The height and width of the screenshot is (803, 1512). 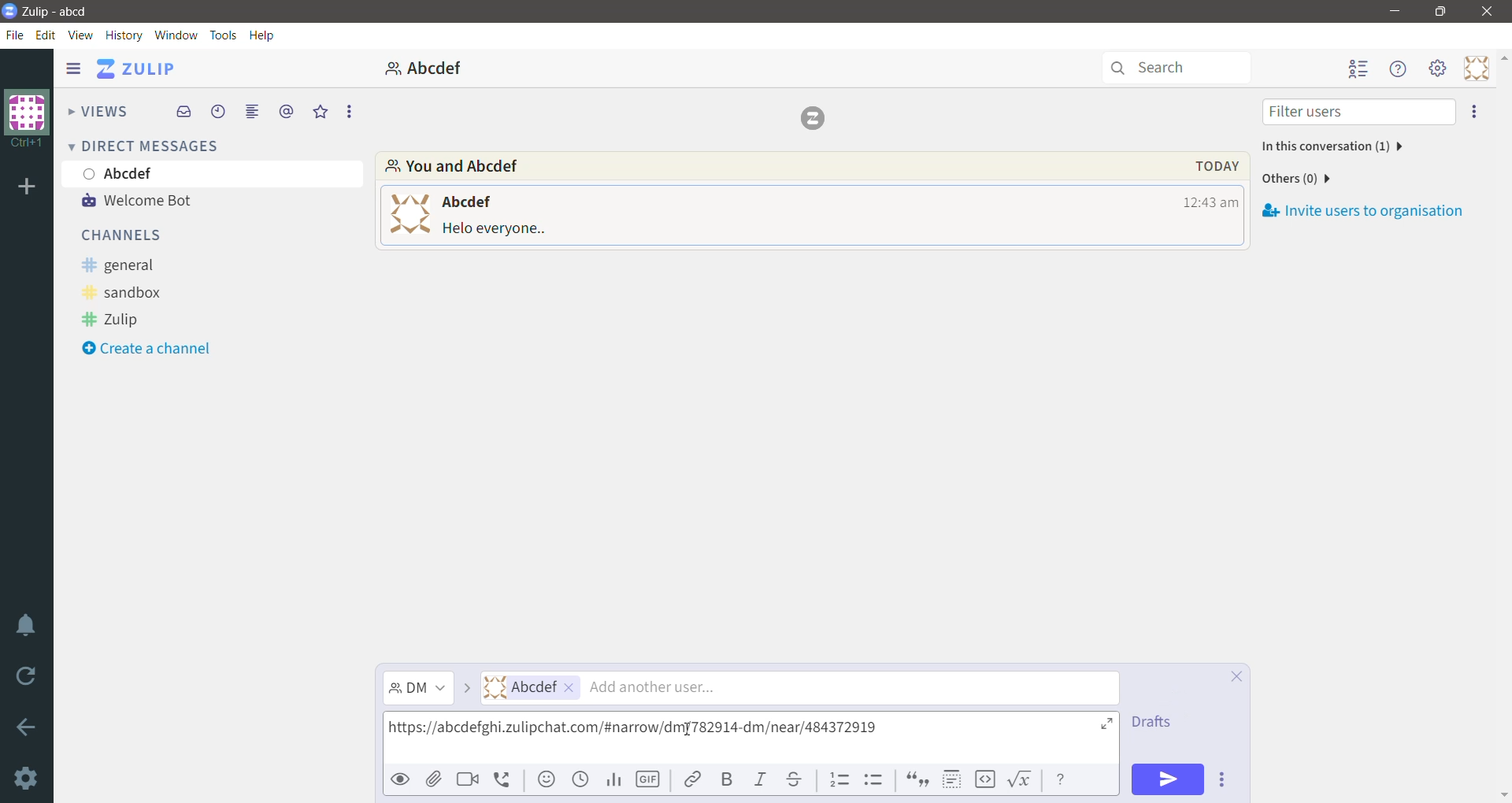 I want to click on Invite users to organization, so click(x=1475, y=113).